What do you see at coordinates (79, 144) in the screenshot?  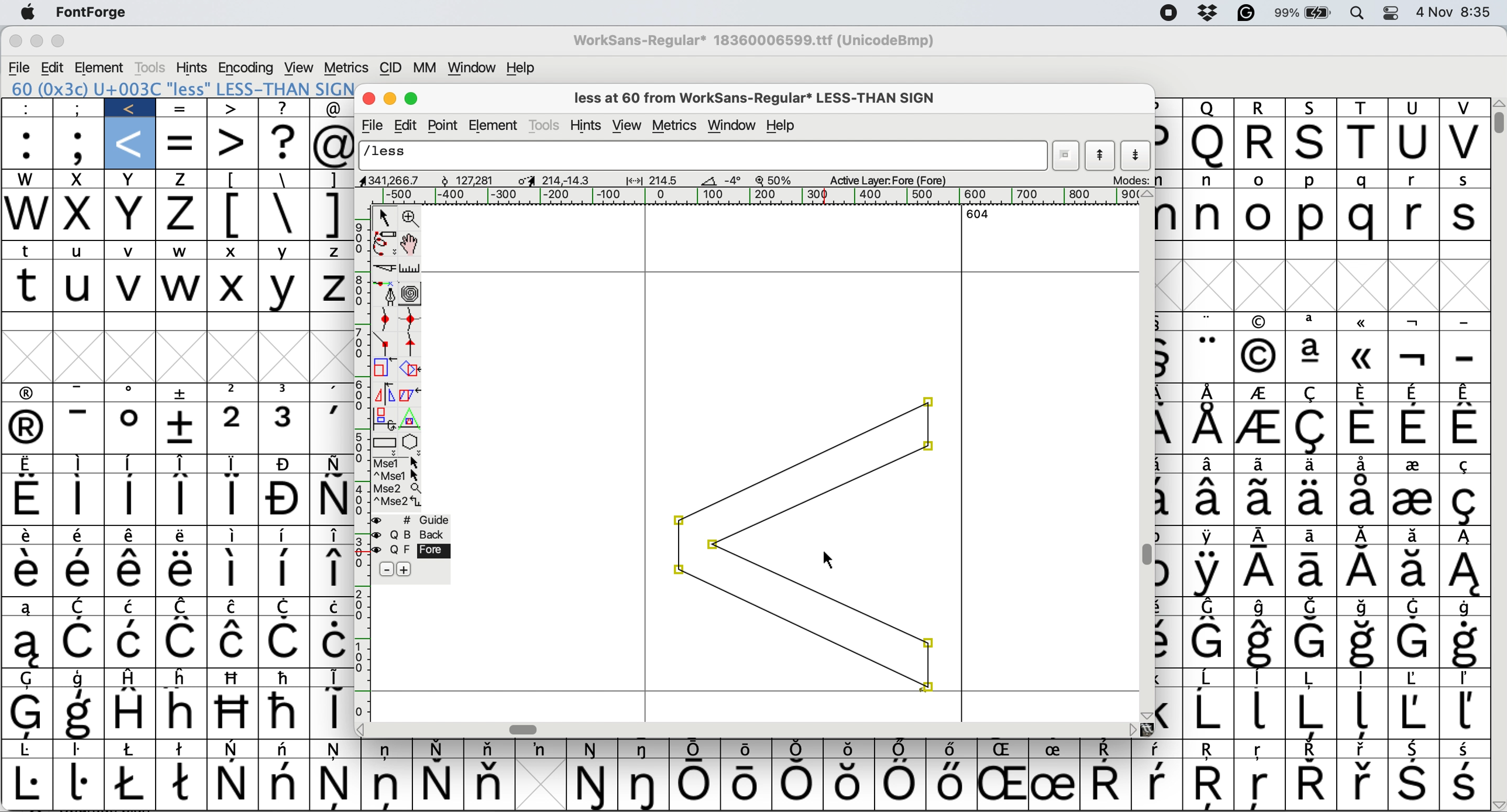 I see `;` at bounding box center [79, 144].